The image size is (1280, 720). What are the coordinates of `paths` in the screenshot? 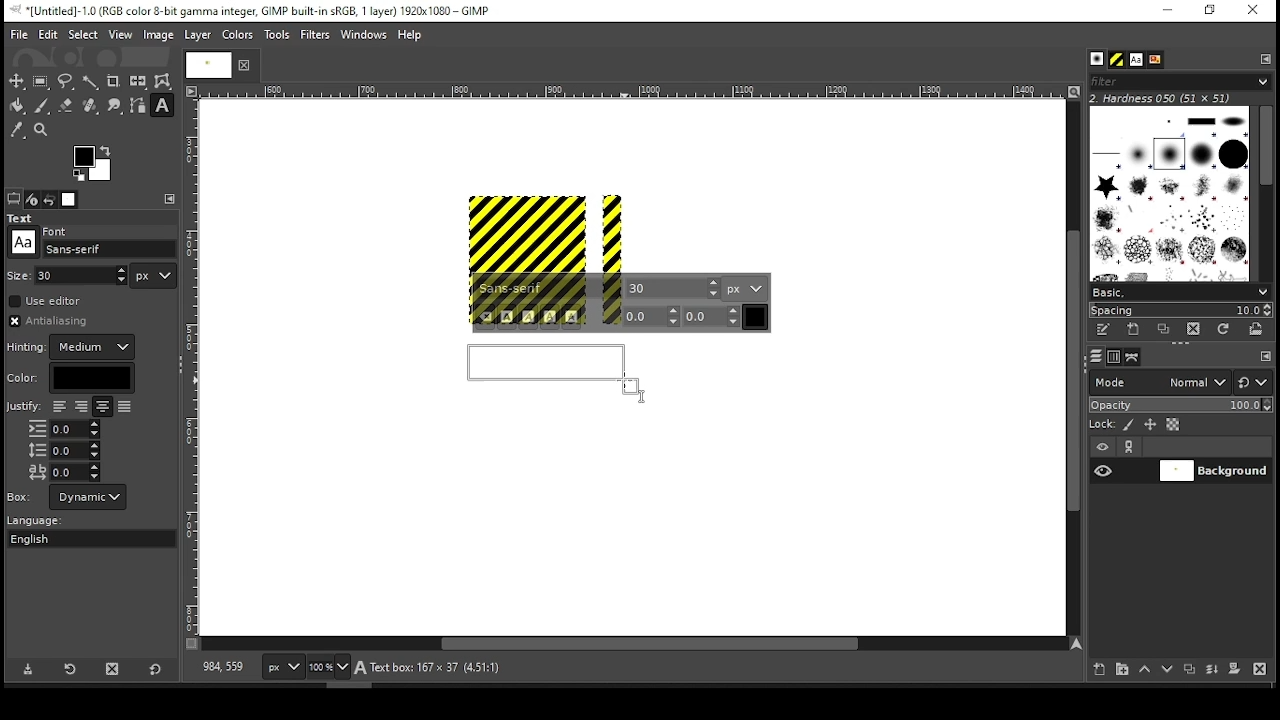 It's located at (1135, 356).